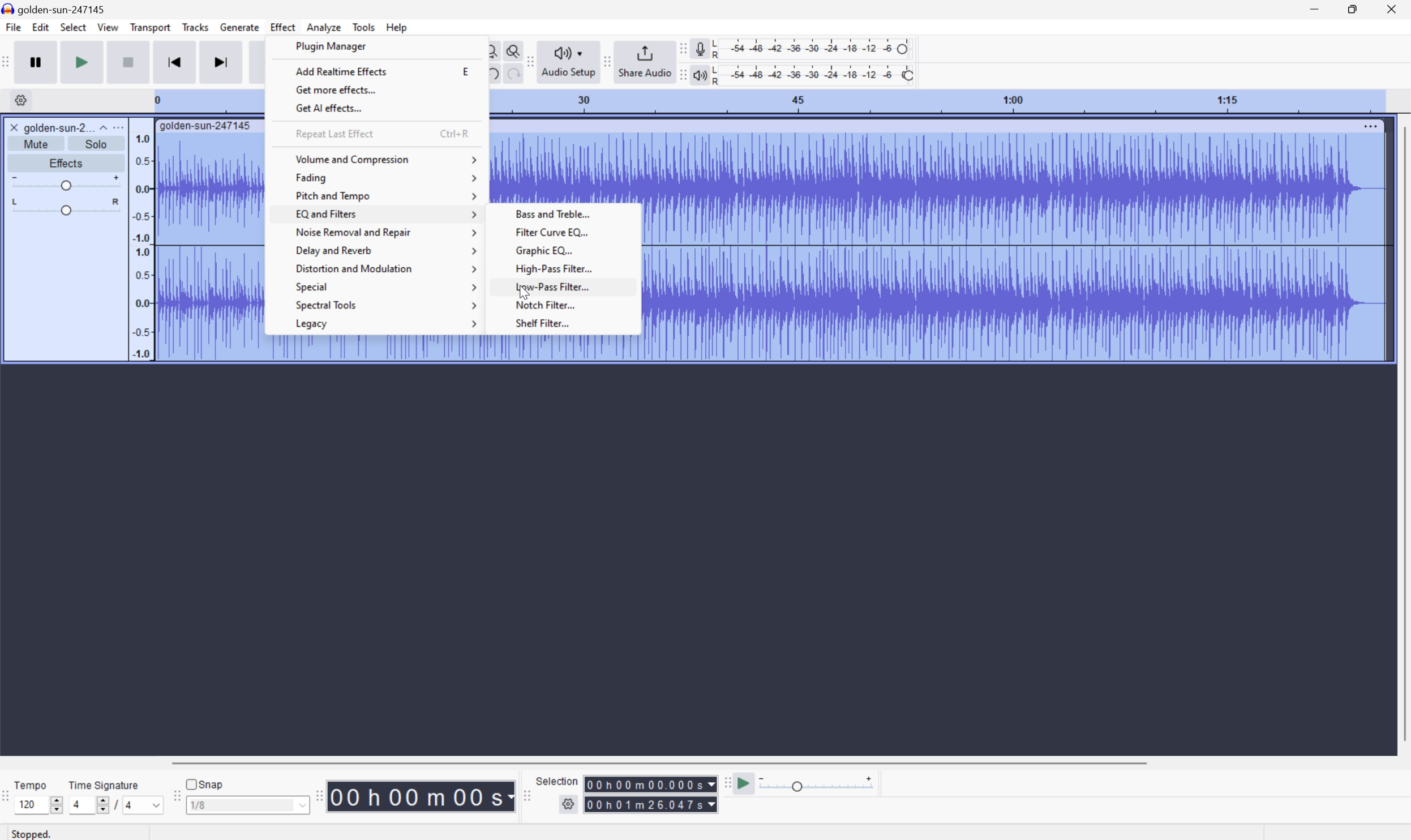 This screenshot has width=1411, height=840. I want to click on Audacity selection toolbar, so click(525, 794).